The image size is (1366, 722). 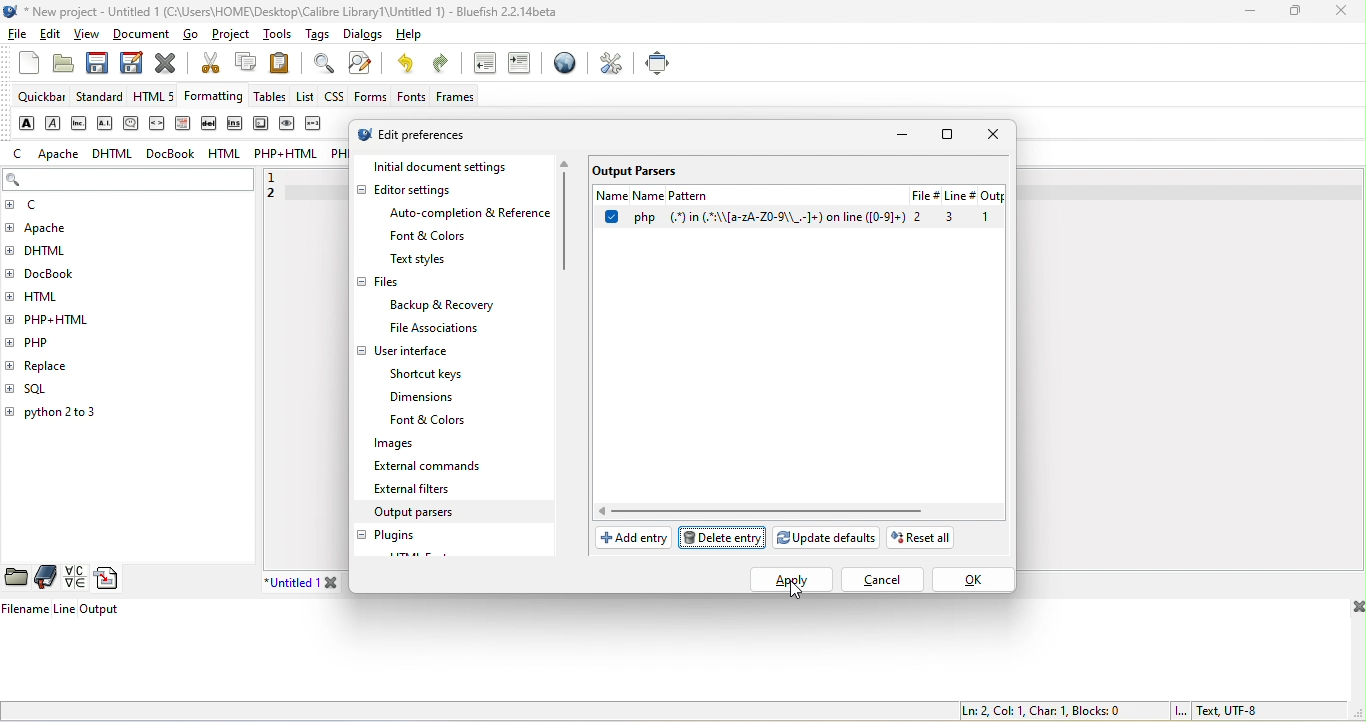 I want to click on reset all, so click(x=925, y=540).